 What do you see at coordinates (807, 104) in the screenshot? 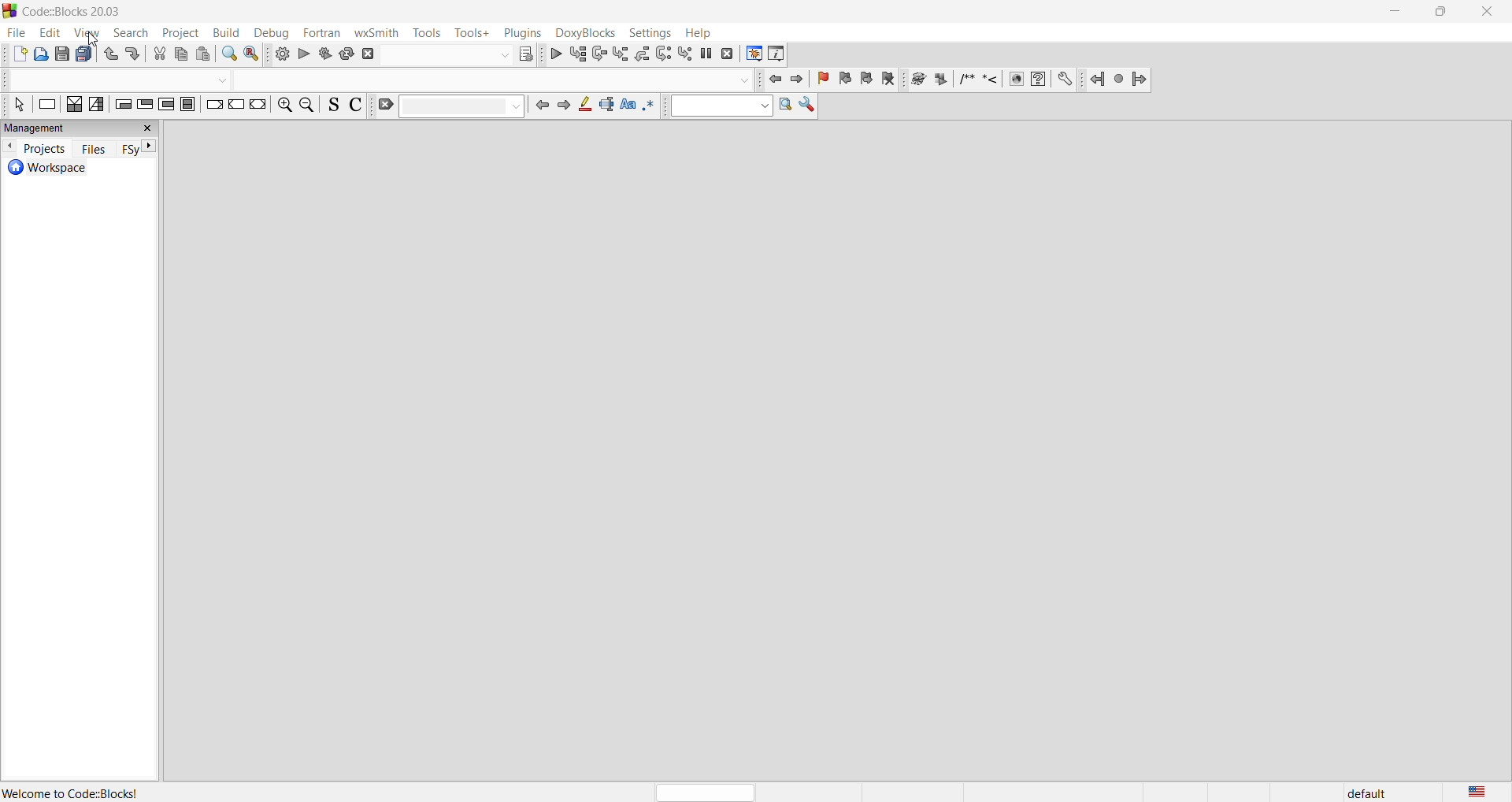
I see `Show options window` at bounding box center [807, 104].